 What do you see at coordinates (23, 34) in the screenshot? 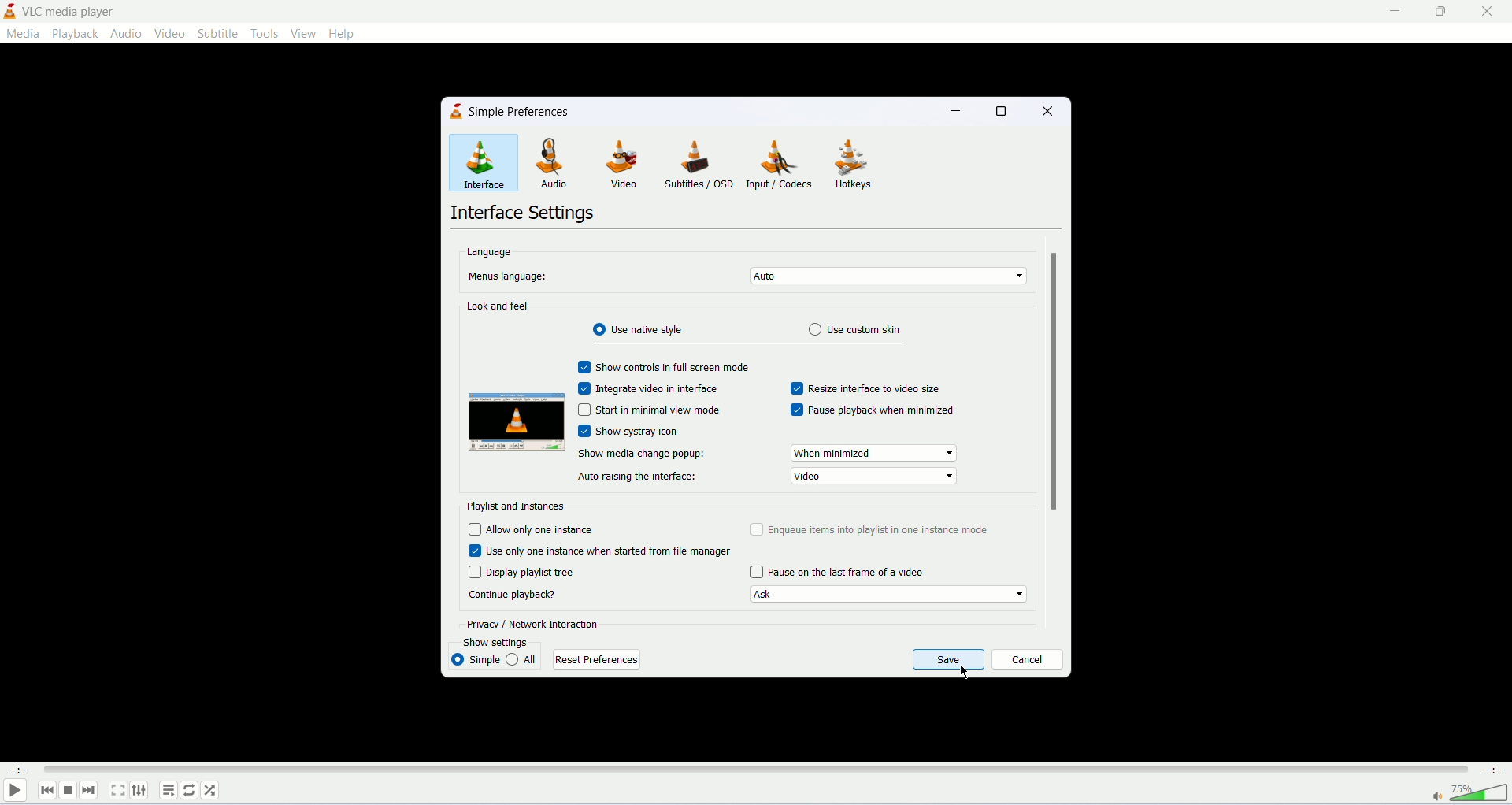
I see `media` at bounding box center [23, 34].